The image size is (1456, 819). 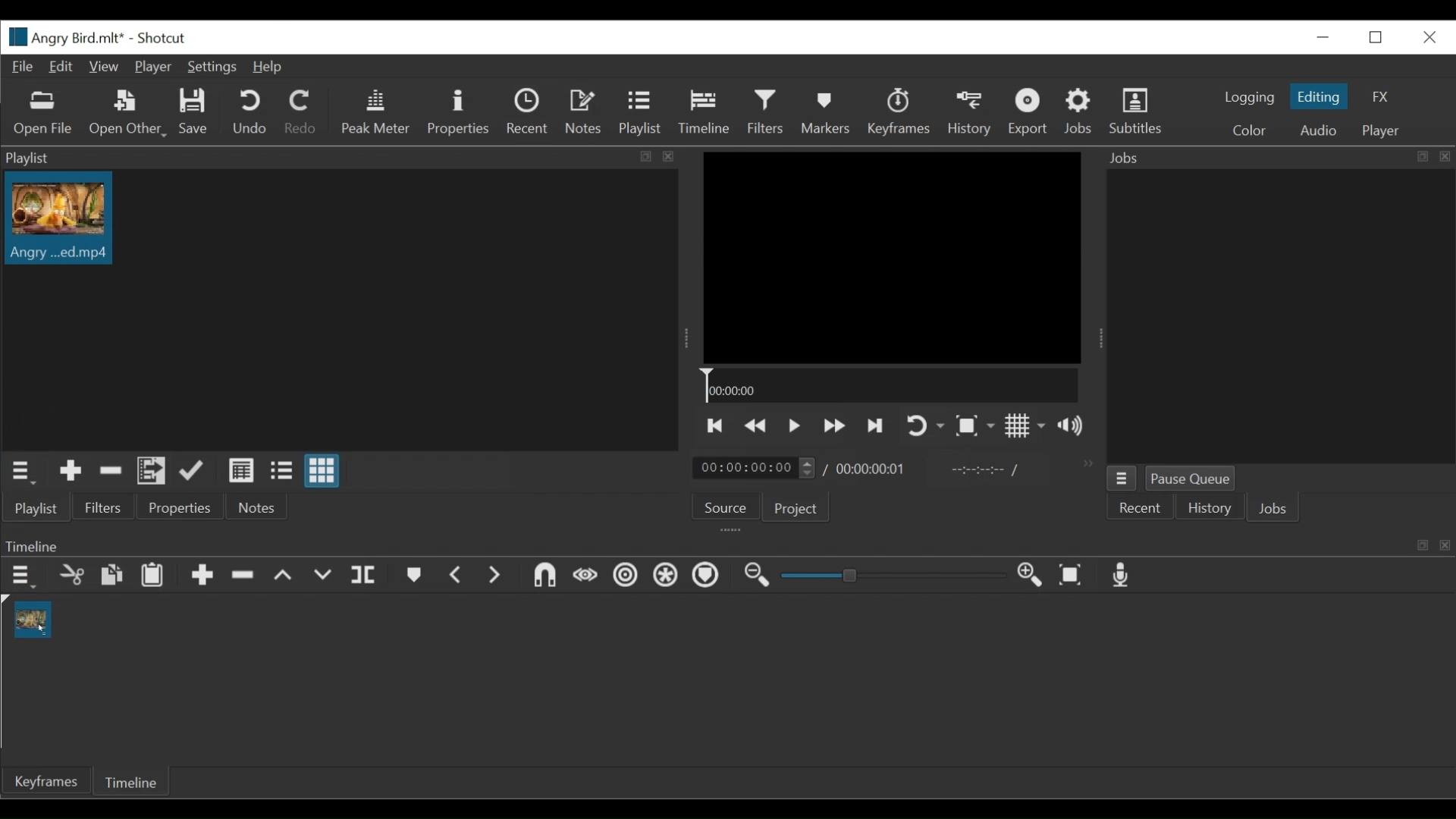 I want to click on Undo, so click(x=249, y=112).